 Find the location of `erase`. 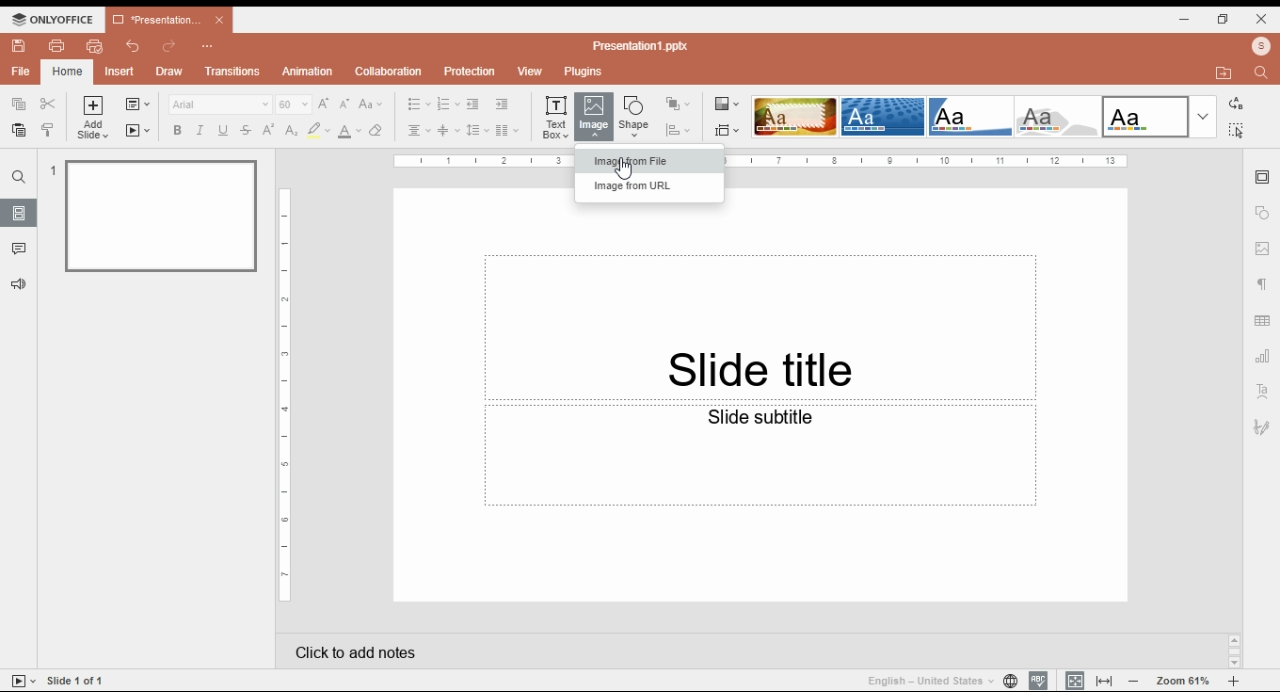

erase is located at coordinates (378, 131).